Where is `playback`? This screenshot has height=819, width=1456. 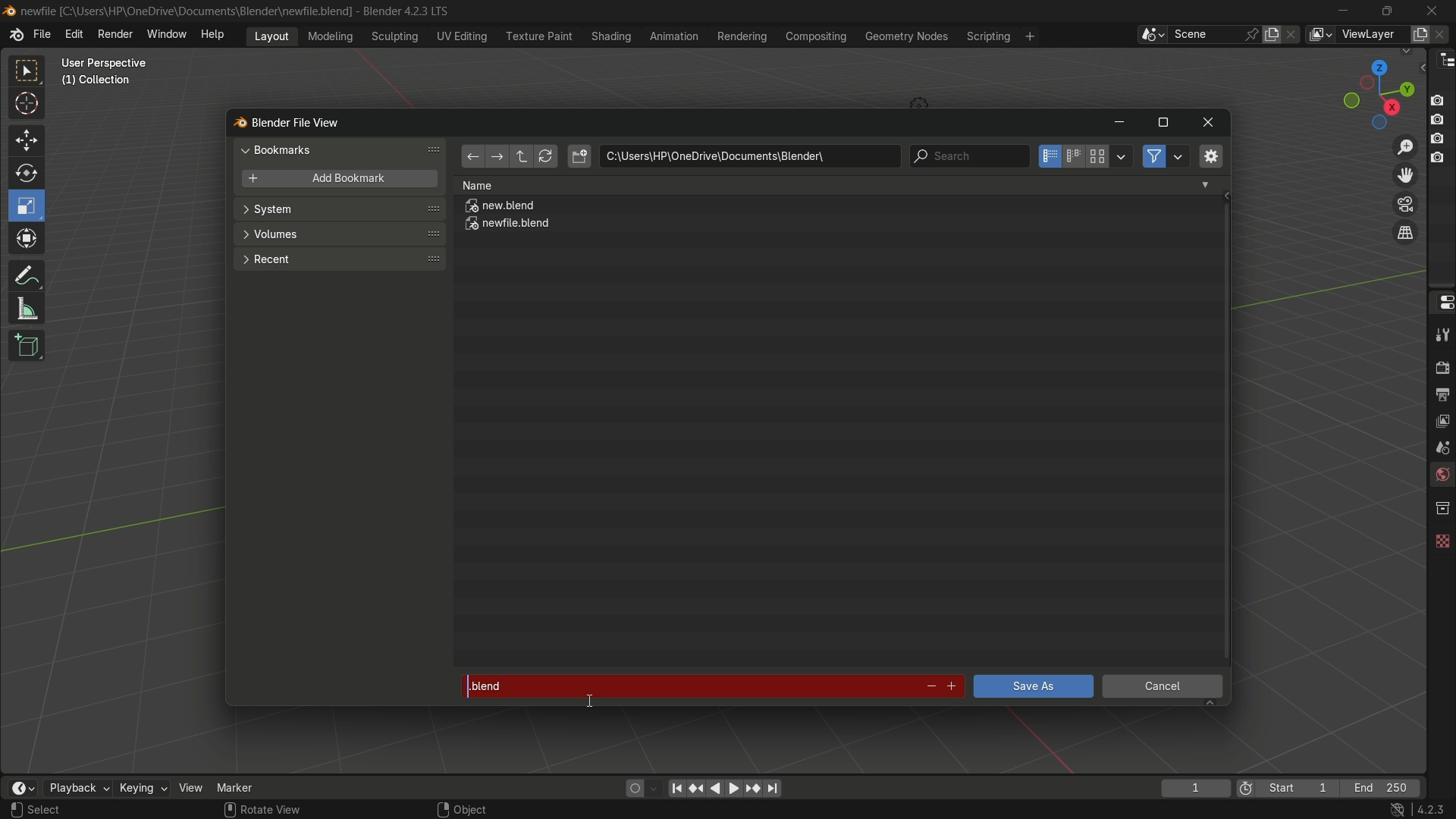
playback is located at coordinates (77, 788).